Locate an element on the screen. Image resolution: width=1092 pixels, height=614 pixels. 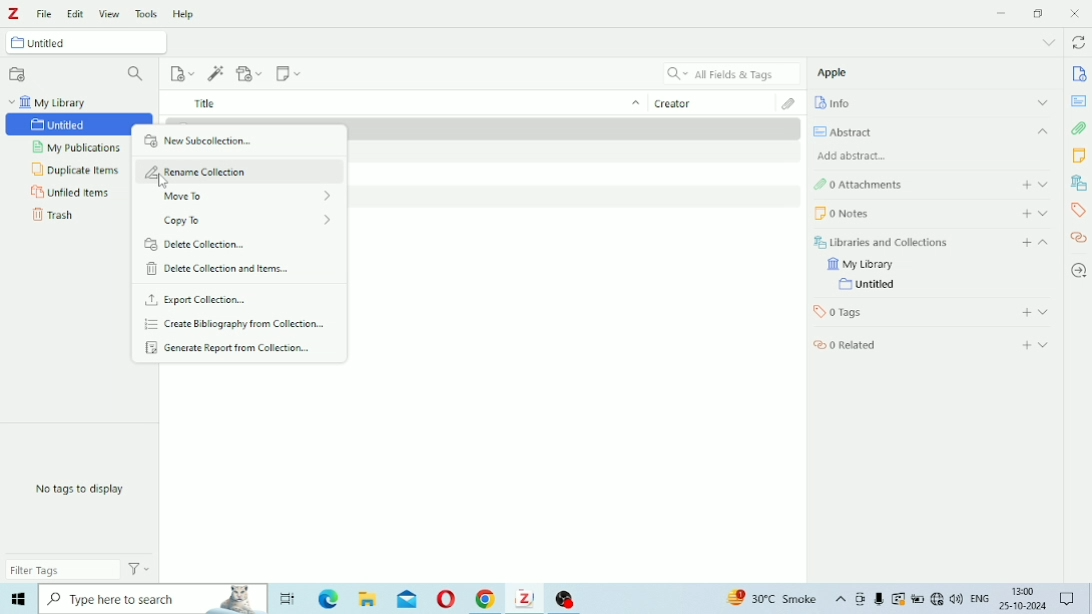
Related is located at coordinates (845, 345).